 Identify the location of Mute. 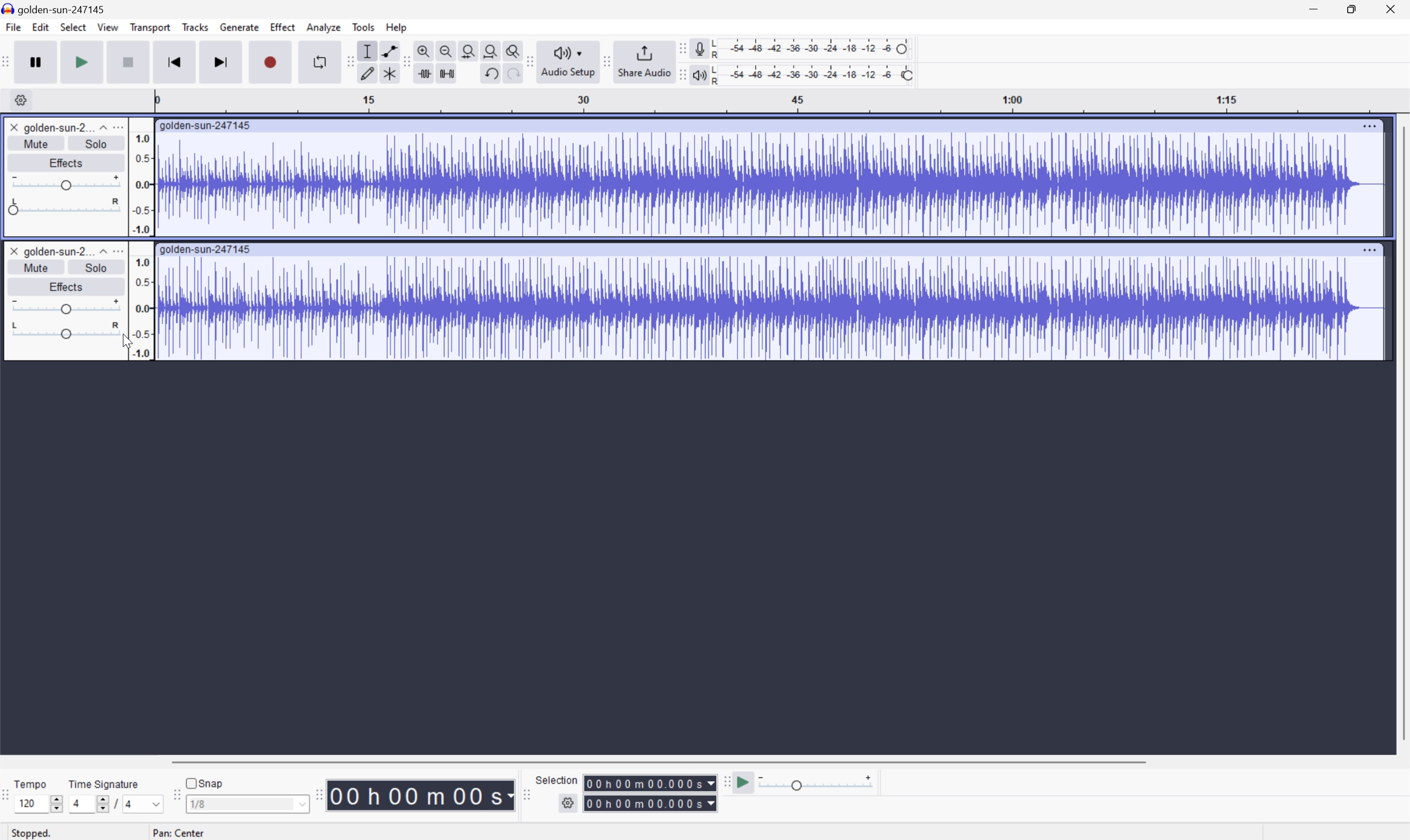
(35, 144).